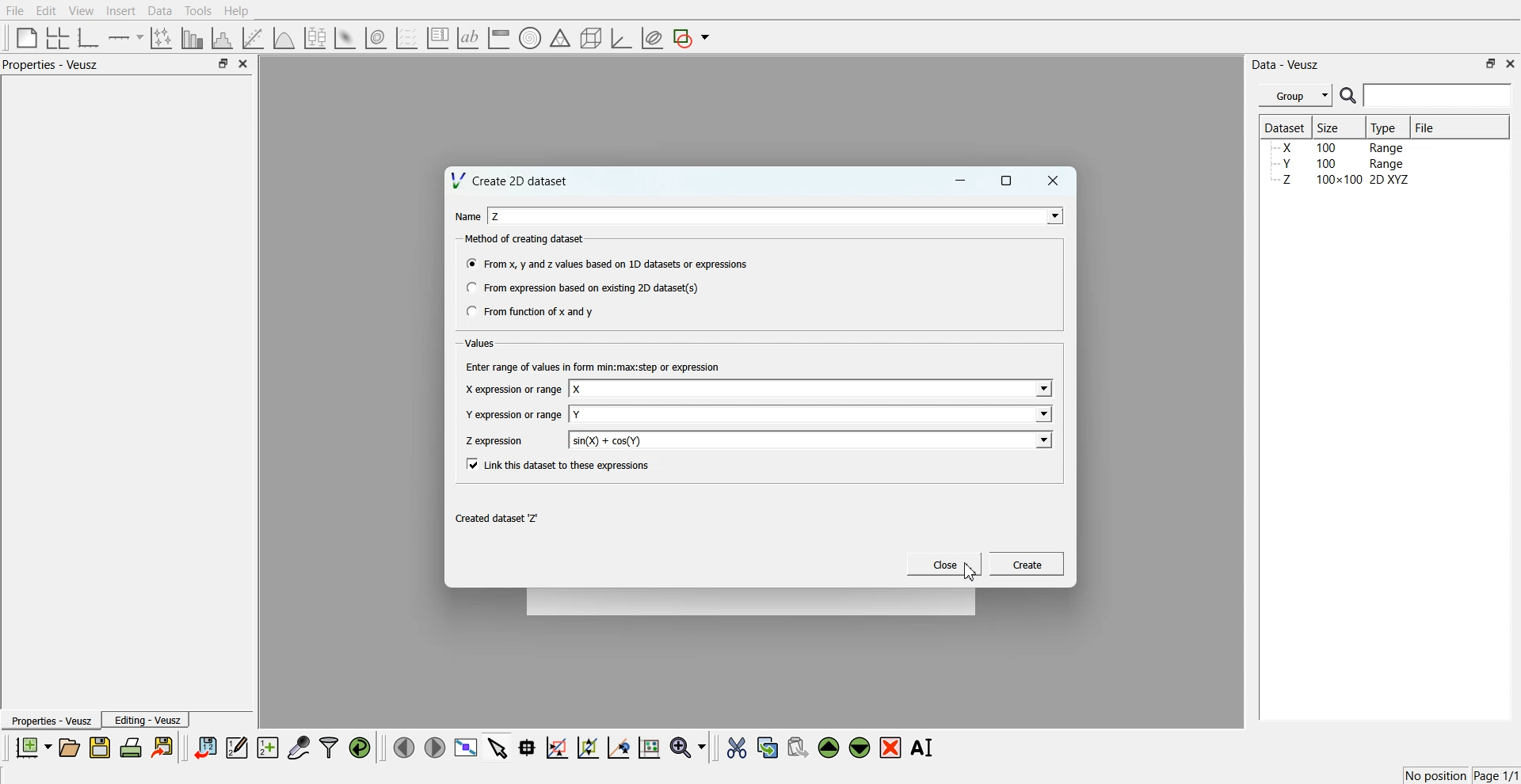 This screenshot has height=784, width=1521. What do you see at coordinates (581, 287) in the screenshot?
I see `Sl (7 From expression based on existing 2D dataset(s)` at bounding box center [581, 287].